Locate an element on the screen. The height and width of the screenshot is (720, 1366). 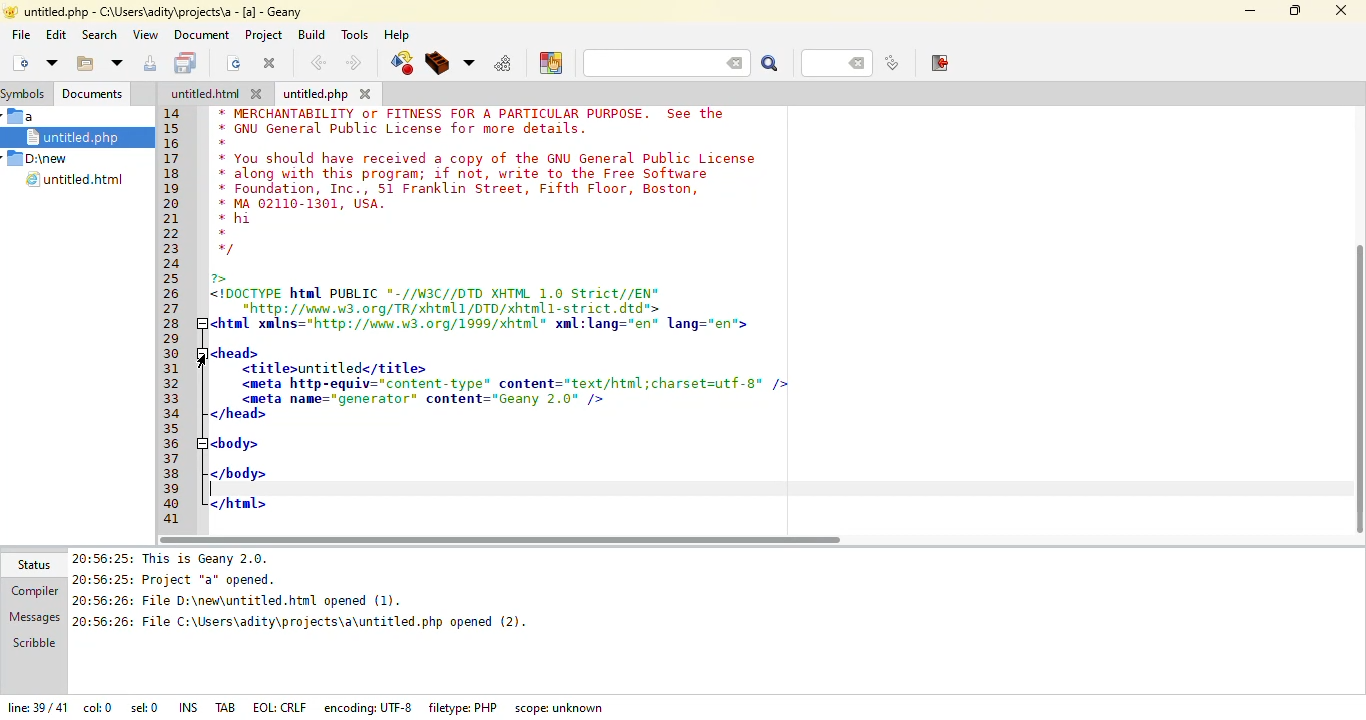
open is located at coordinates (84, 63).